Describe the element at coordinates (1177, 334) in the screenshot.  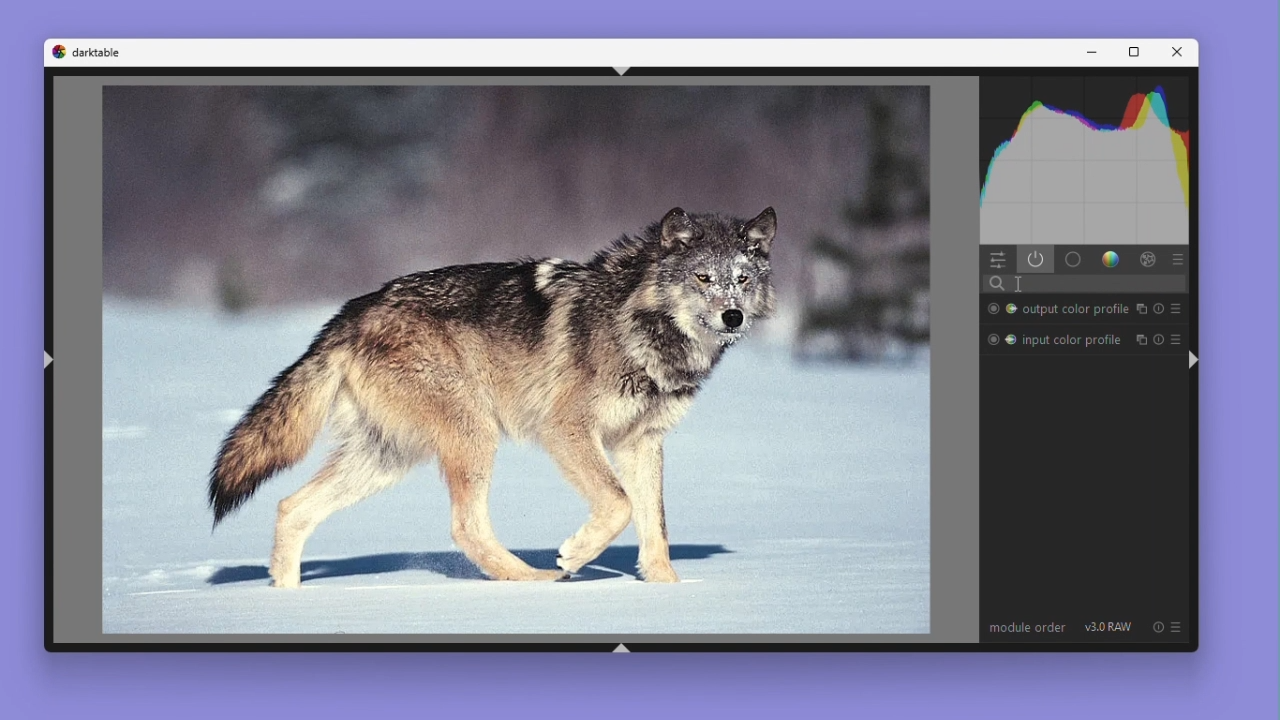
I see `preset ` at that location.